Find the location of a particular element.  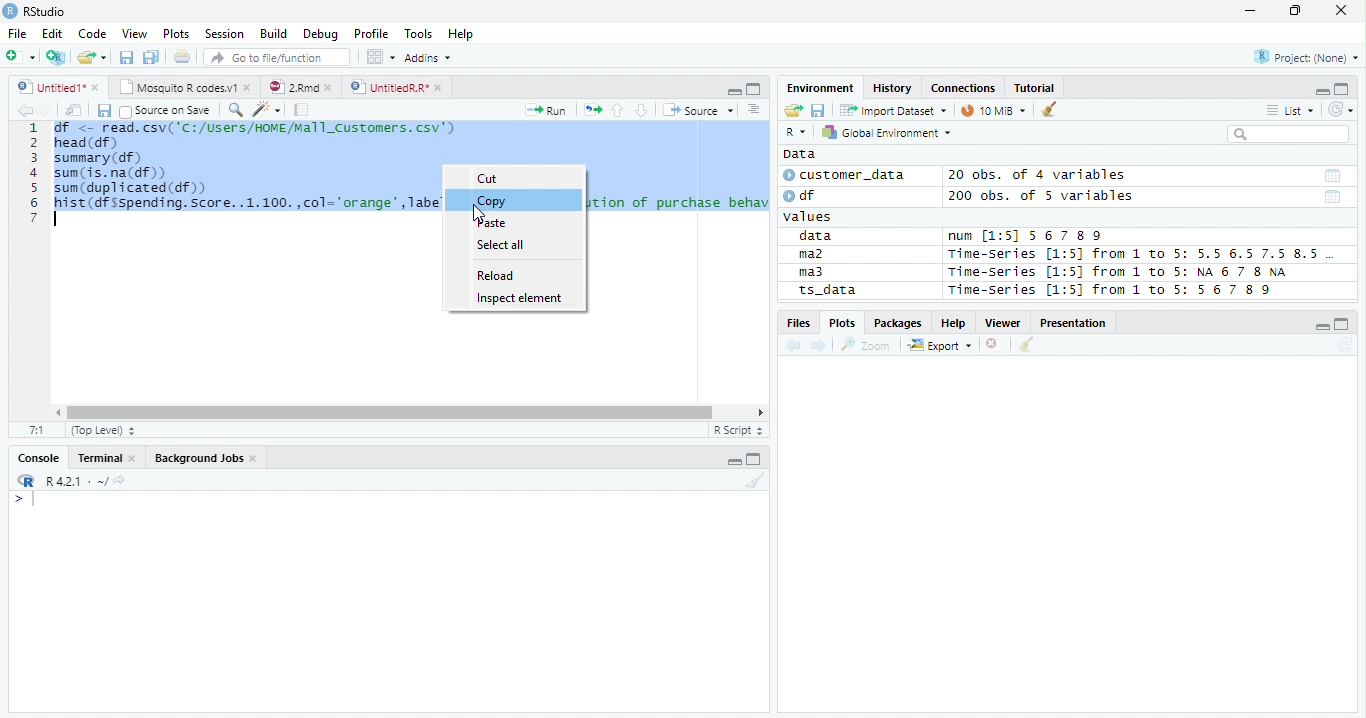

200 obs. of 5 variables is located at coordinates (1038, 198).